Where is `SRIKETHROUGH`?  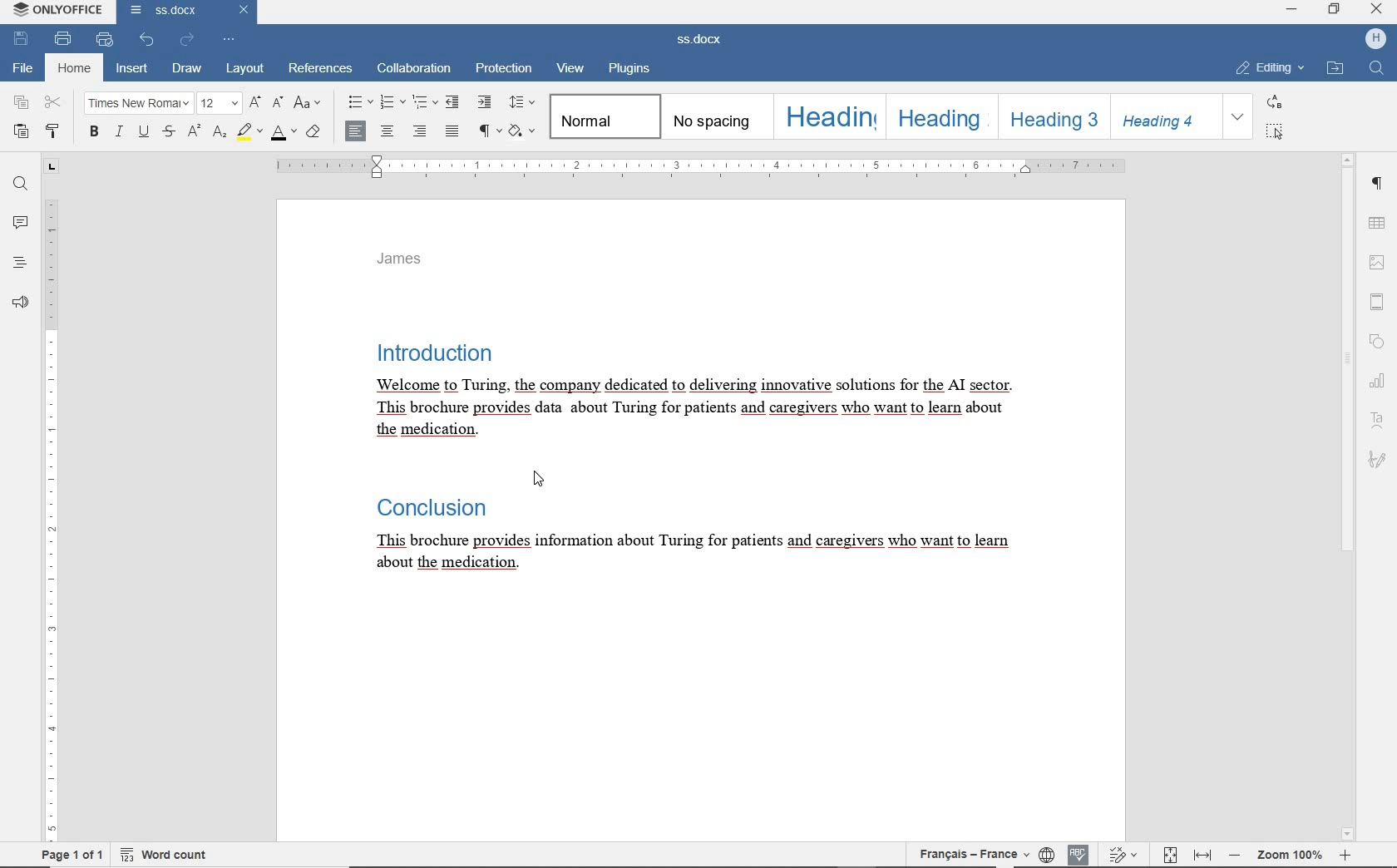 SRIKETHROUGH is located at coordinates (168, 133).